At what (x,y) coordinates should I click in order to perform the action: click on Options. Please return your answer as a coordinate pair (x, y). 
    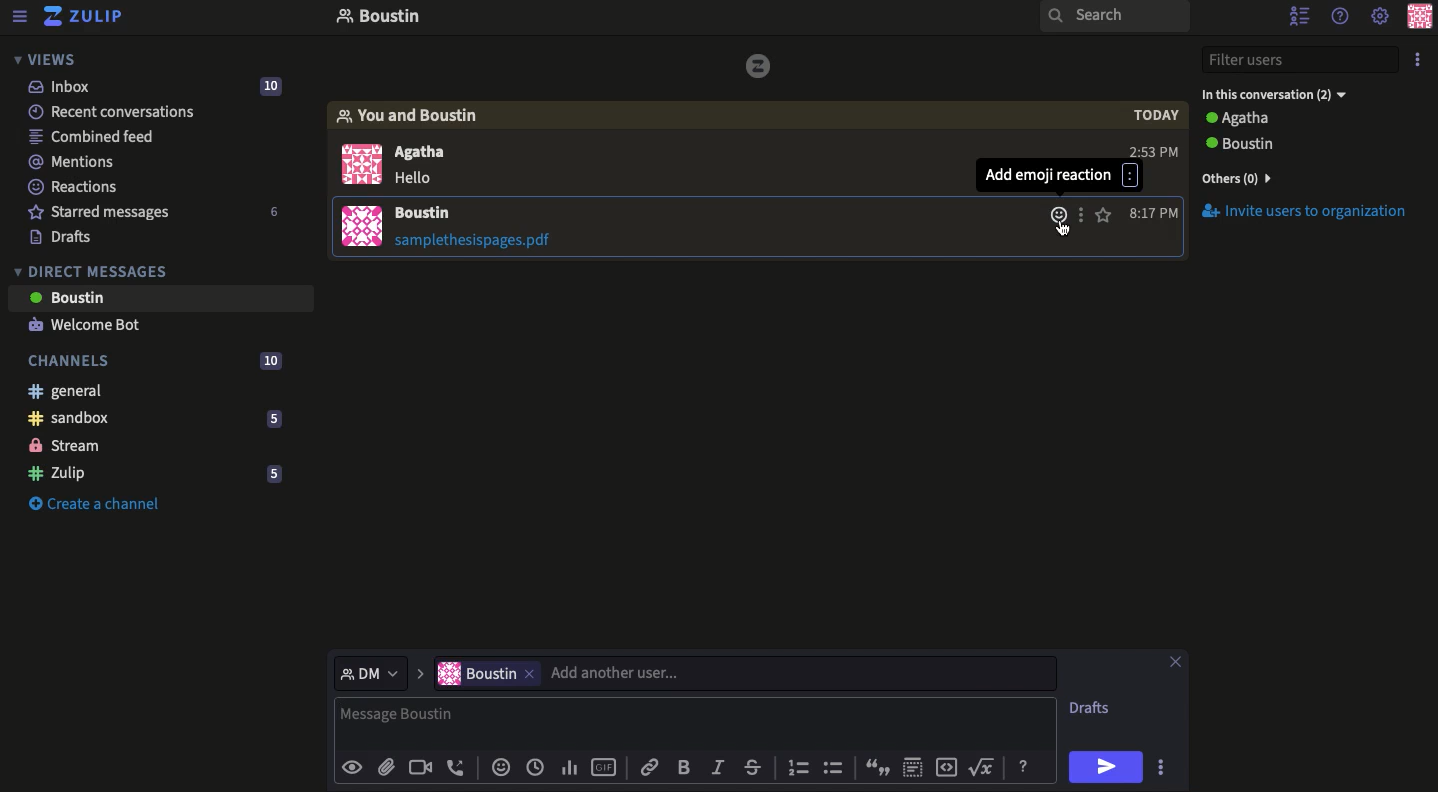
    Looking at the image, I should click on (1420, 60).